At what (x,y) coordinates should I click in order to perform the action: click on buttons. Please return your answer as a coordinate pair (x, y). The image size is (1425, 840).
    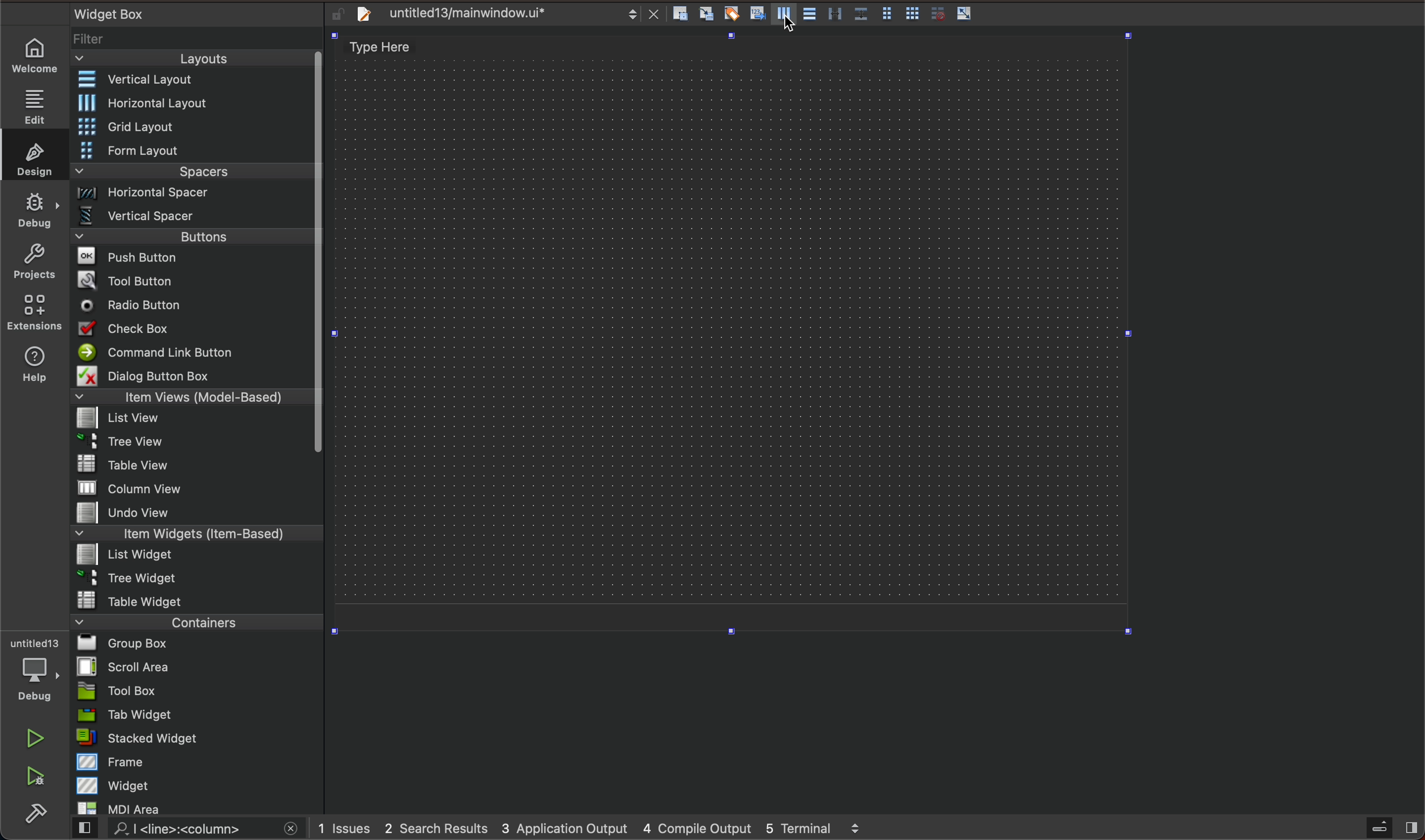
    Looking at the image, I should click on (200, 235).